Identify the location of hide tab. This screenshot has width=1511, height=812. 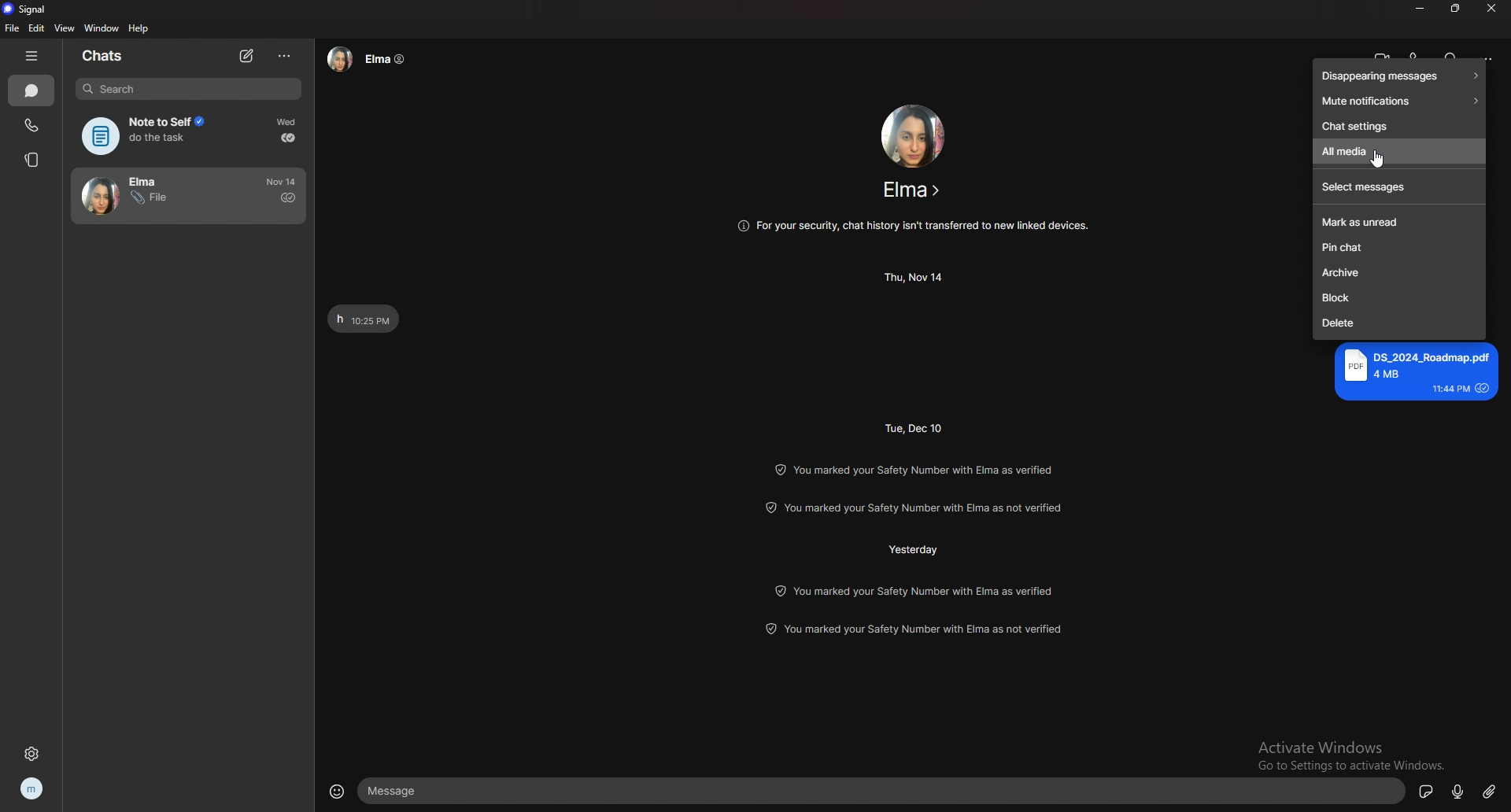
(30, 57).